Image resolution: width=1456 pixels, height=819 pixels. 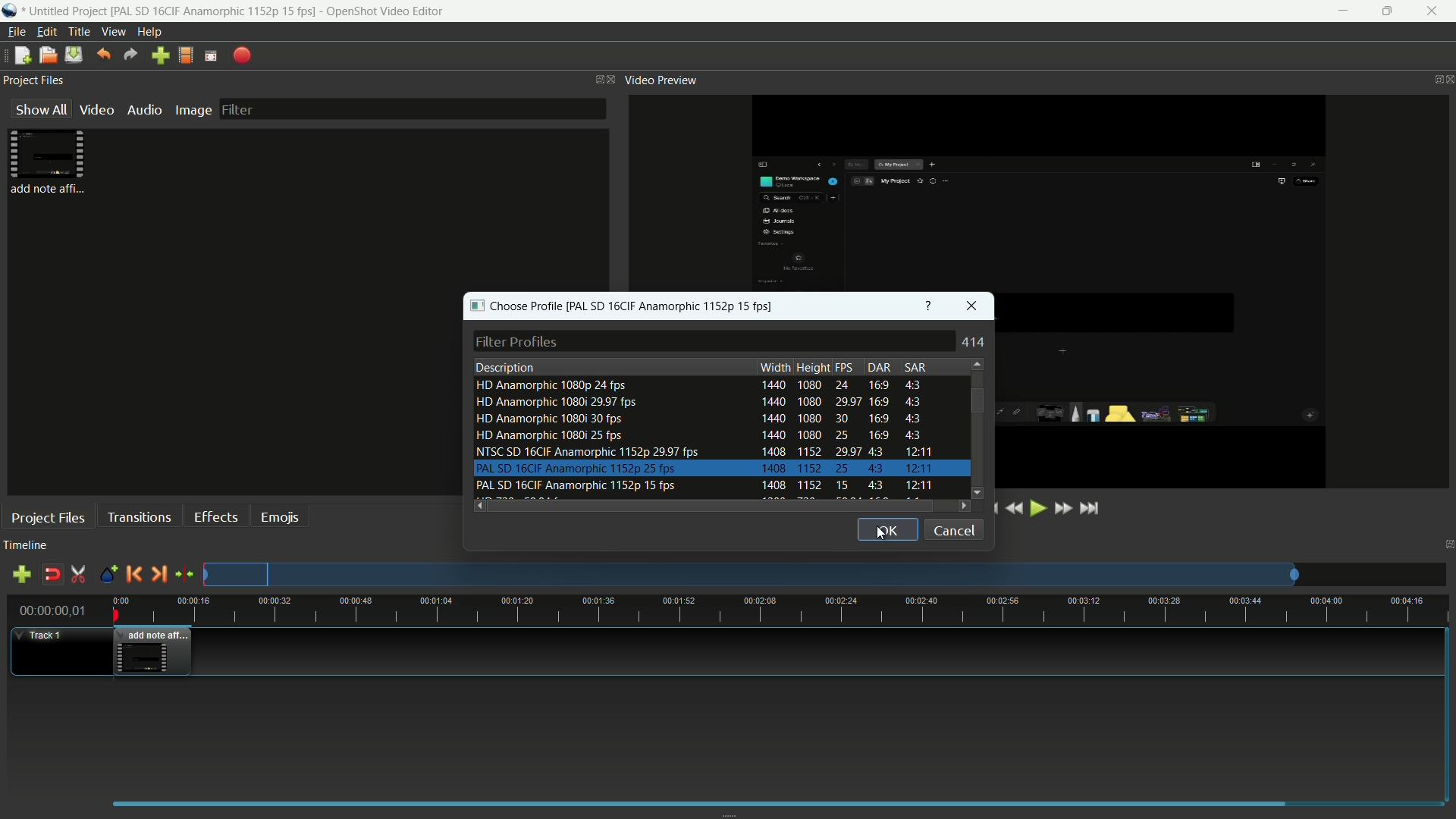 What do you see at coordinates (661, 81) in the screenshot?
I see `video preview` at bounding box center [661, 81].